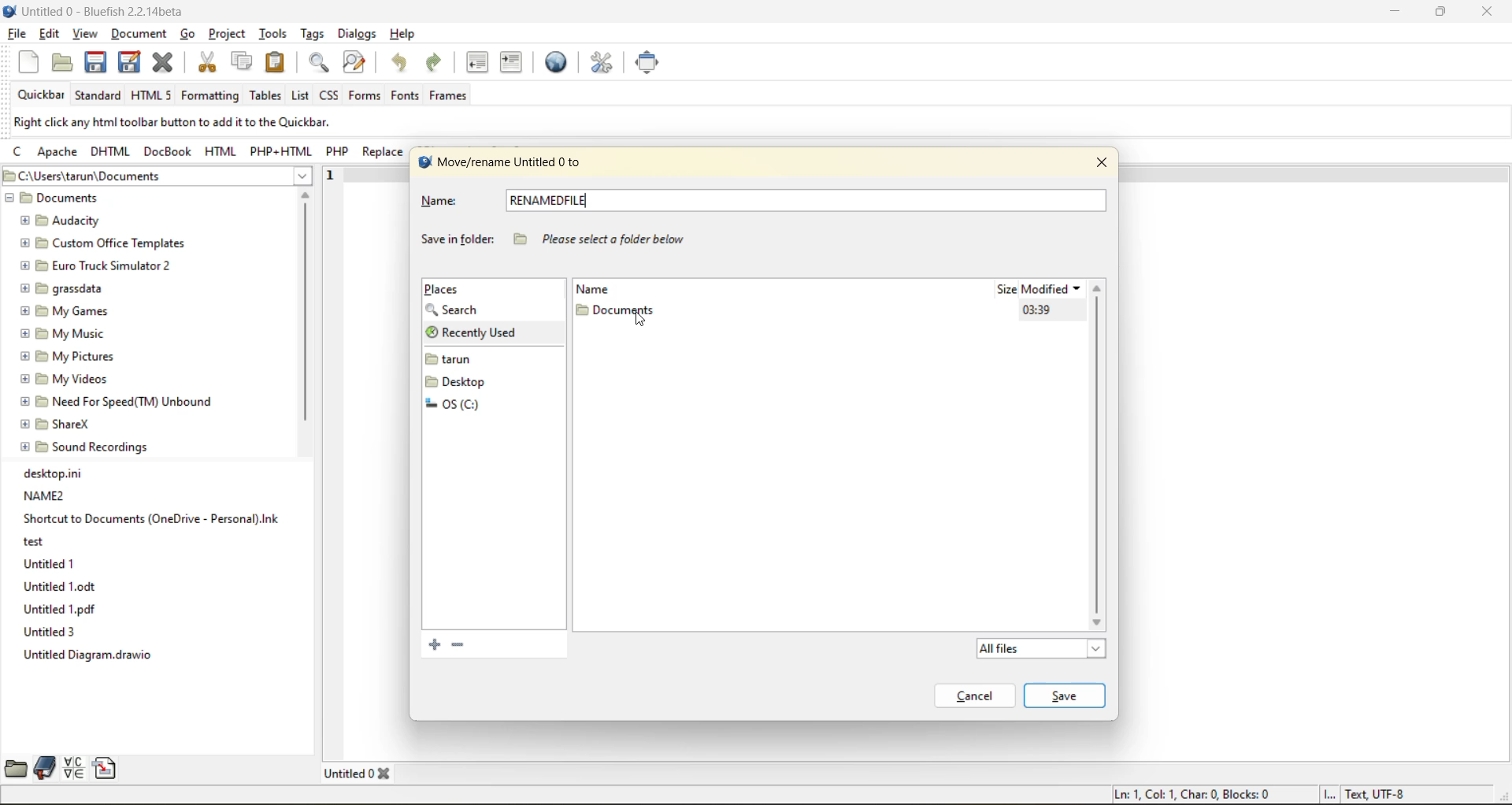 This screenshot has width=1512, height=805. What do you see at coordinates (360, 772) in the screenshot?
I see `tabs` at bounding box center [360, 772].